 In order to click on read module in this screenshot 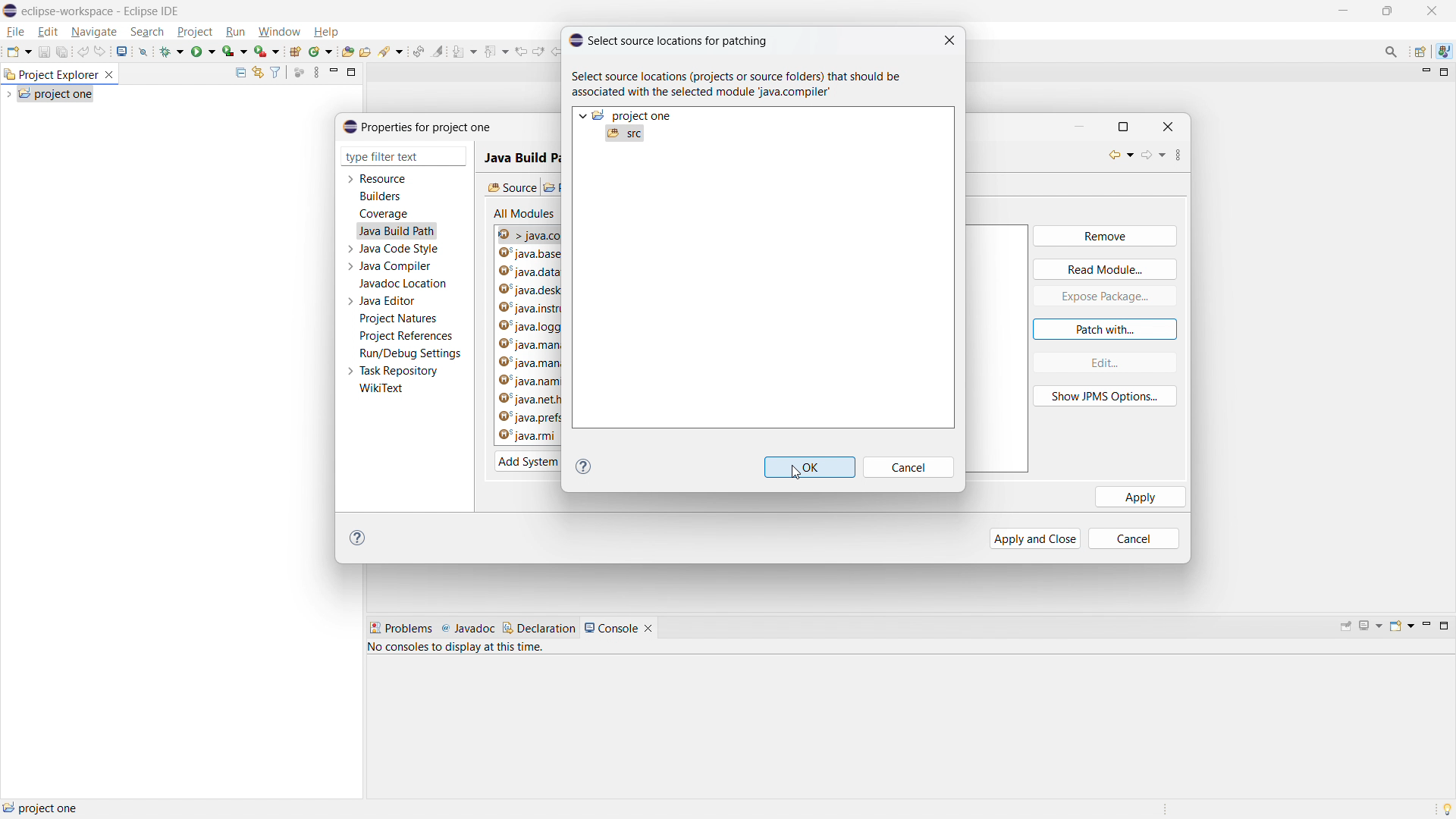, I will do `click(1105, 268)`.